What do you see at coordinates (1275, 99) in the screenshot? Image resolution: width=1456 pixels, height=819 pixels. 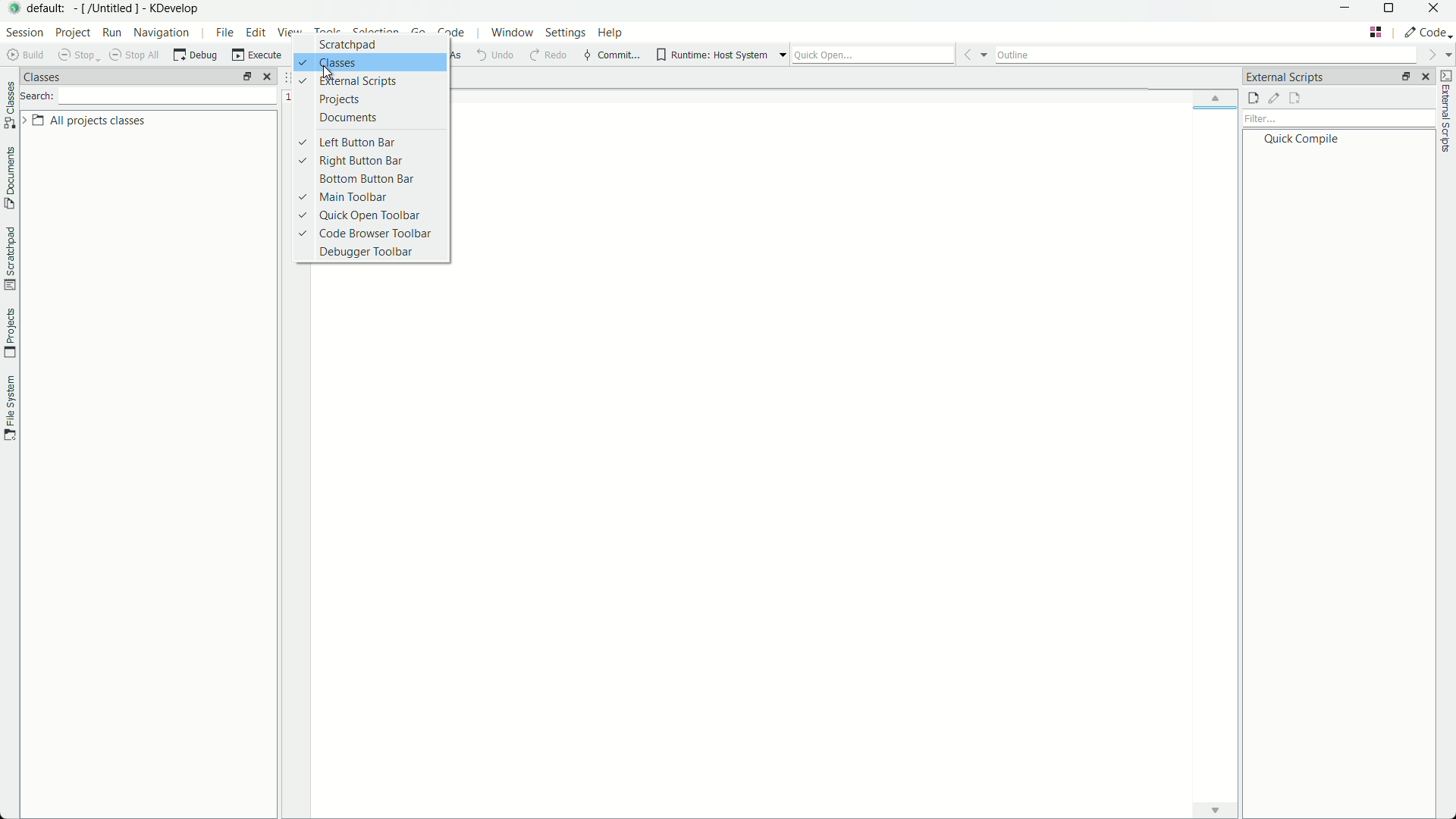 I see `edit external scripts` at bounding box center [1275, 99].